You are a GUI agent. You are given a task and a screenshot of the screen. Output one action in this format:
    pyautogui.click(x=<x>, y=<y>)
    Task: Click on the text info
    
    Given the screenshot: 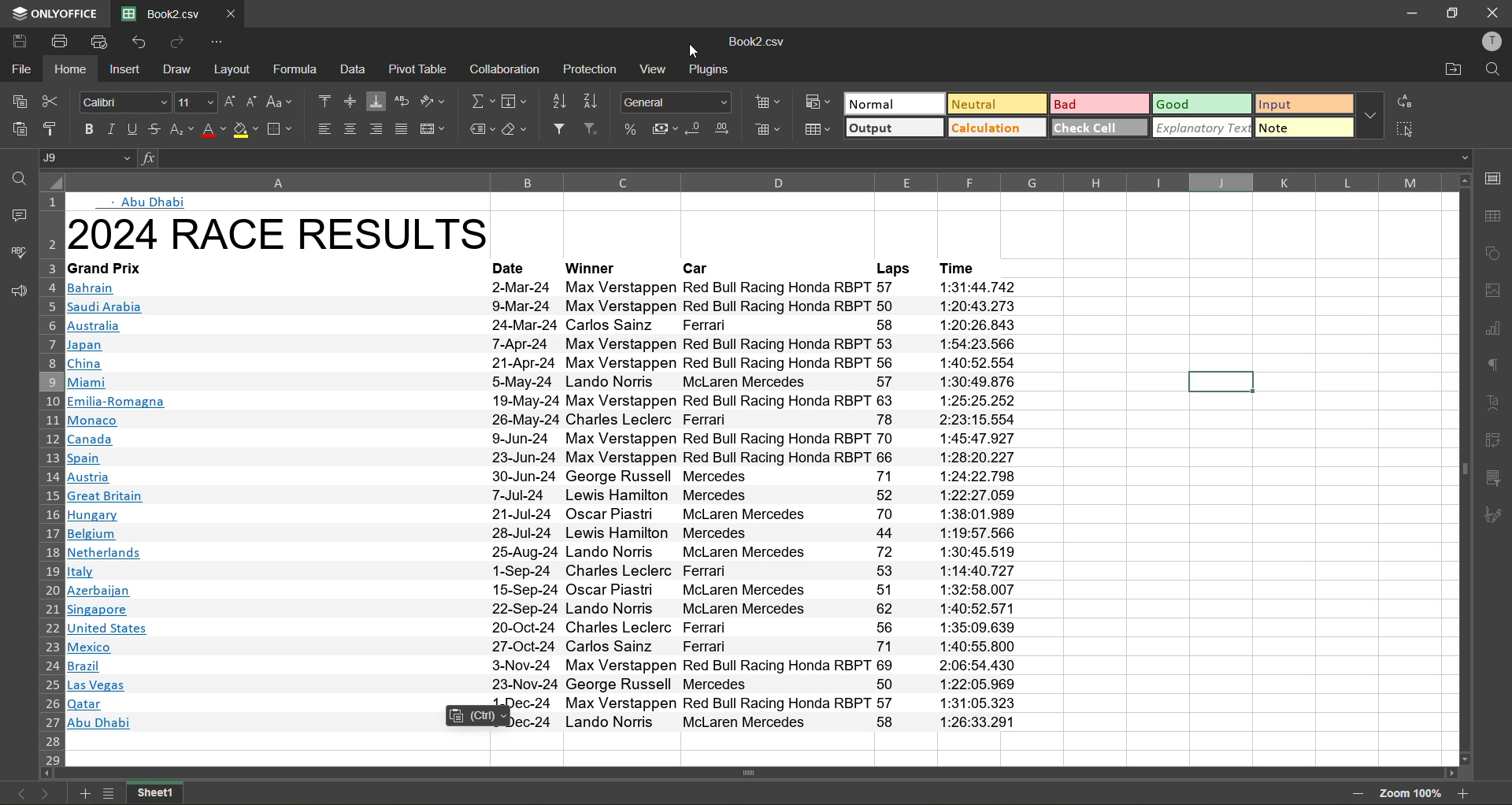 What is the action you would take?
    pyautogui.click(x=543, y=534)
    